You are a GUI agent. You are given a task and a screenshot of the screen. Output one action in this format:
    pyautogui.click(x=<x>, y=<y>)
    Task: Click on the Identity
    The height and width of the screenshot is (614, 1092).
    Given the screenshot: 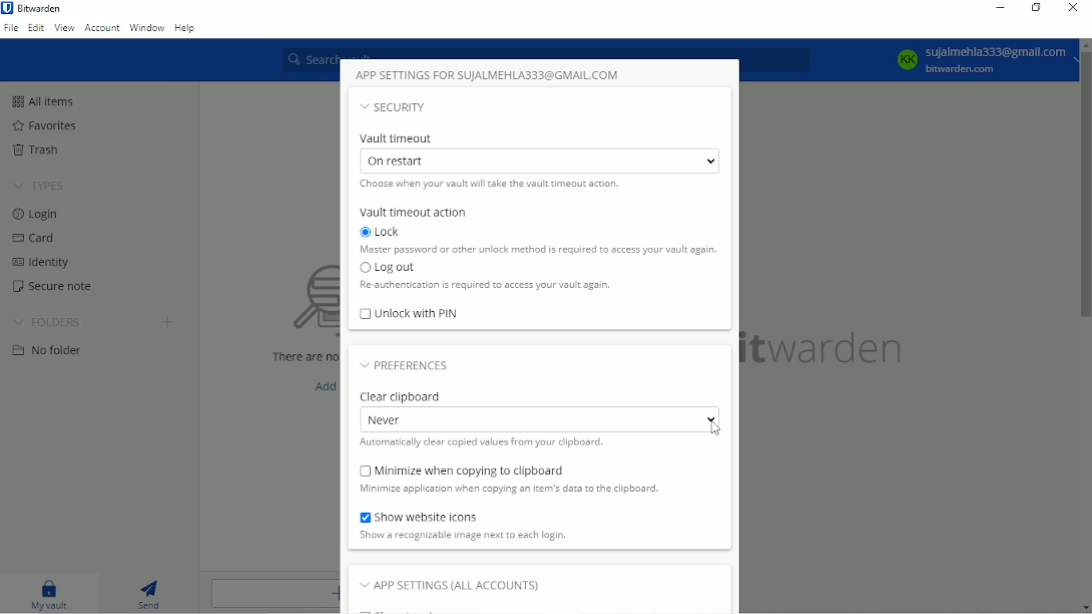 What is the action you would take?
    pyautogui.click(x=44, y=263)
    